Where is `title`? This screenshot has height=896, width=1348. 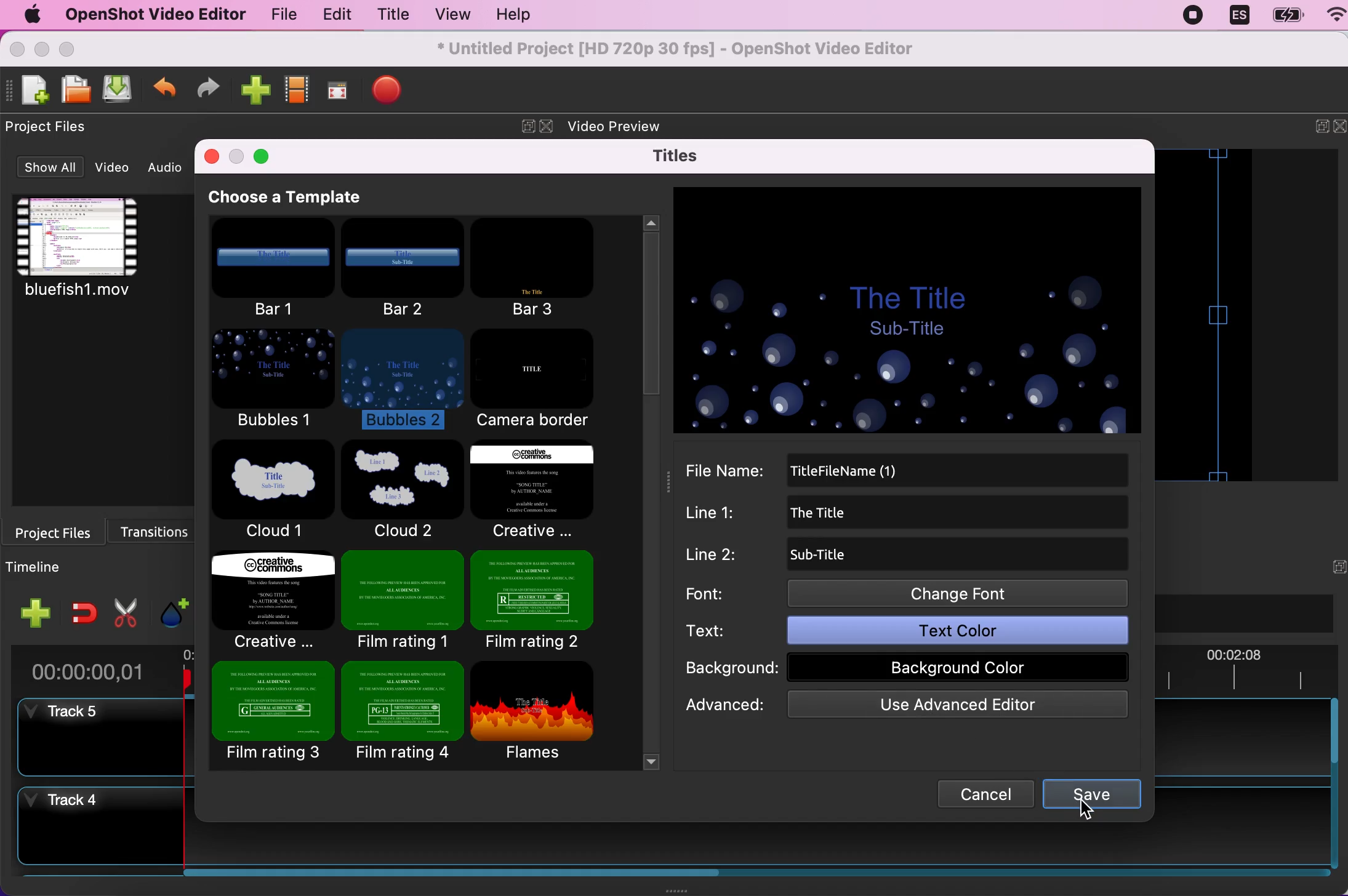
title is located at coordinates (390, 17).